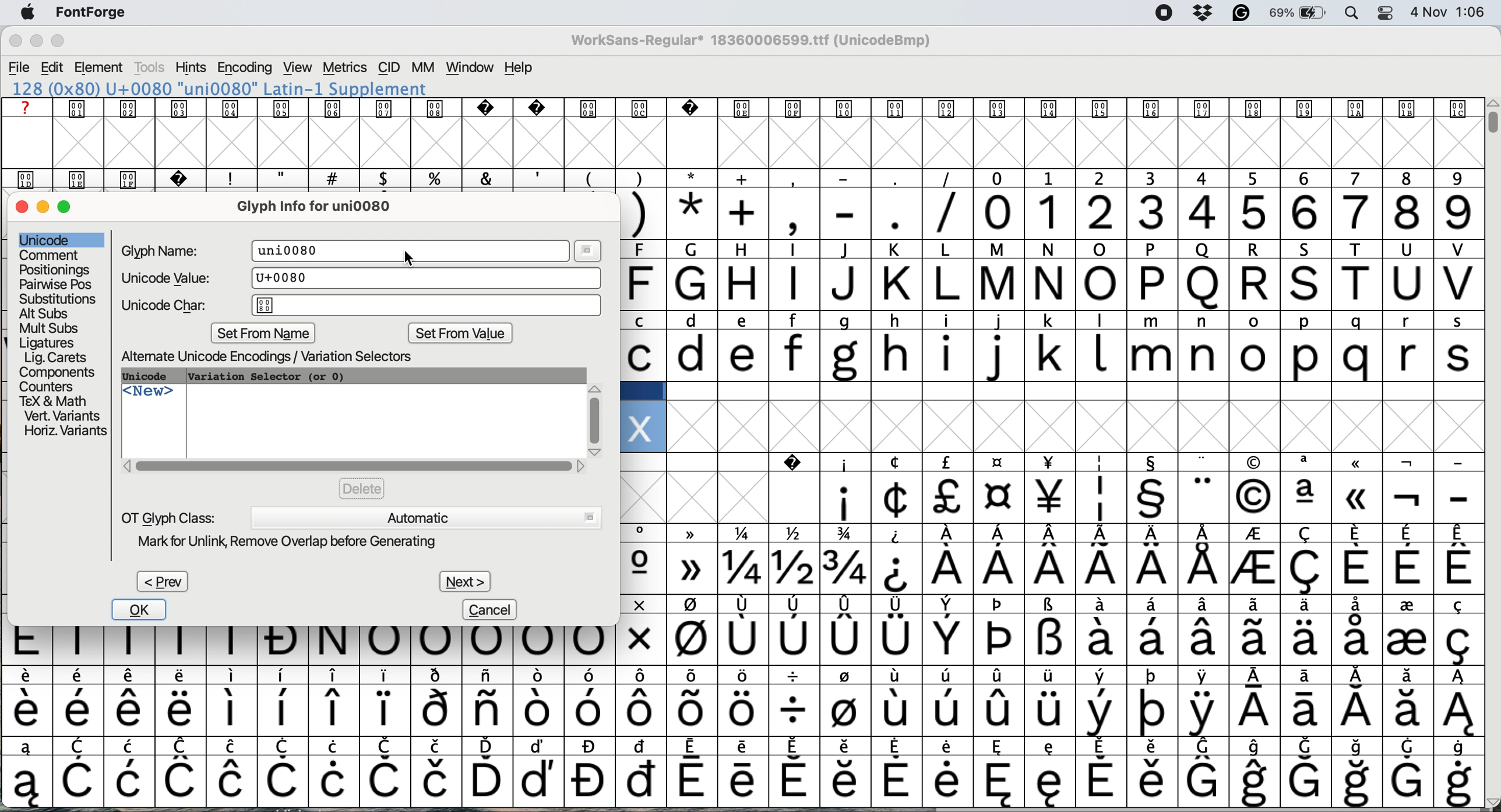 This screenshot has width=1501, height=812. Describe the element at coordinates (55, 270) in the screenshot. I see `positionings` at that location.